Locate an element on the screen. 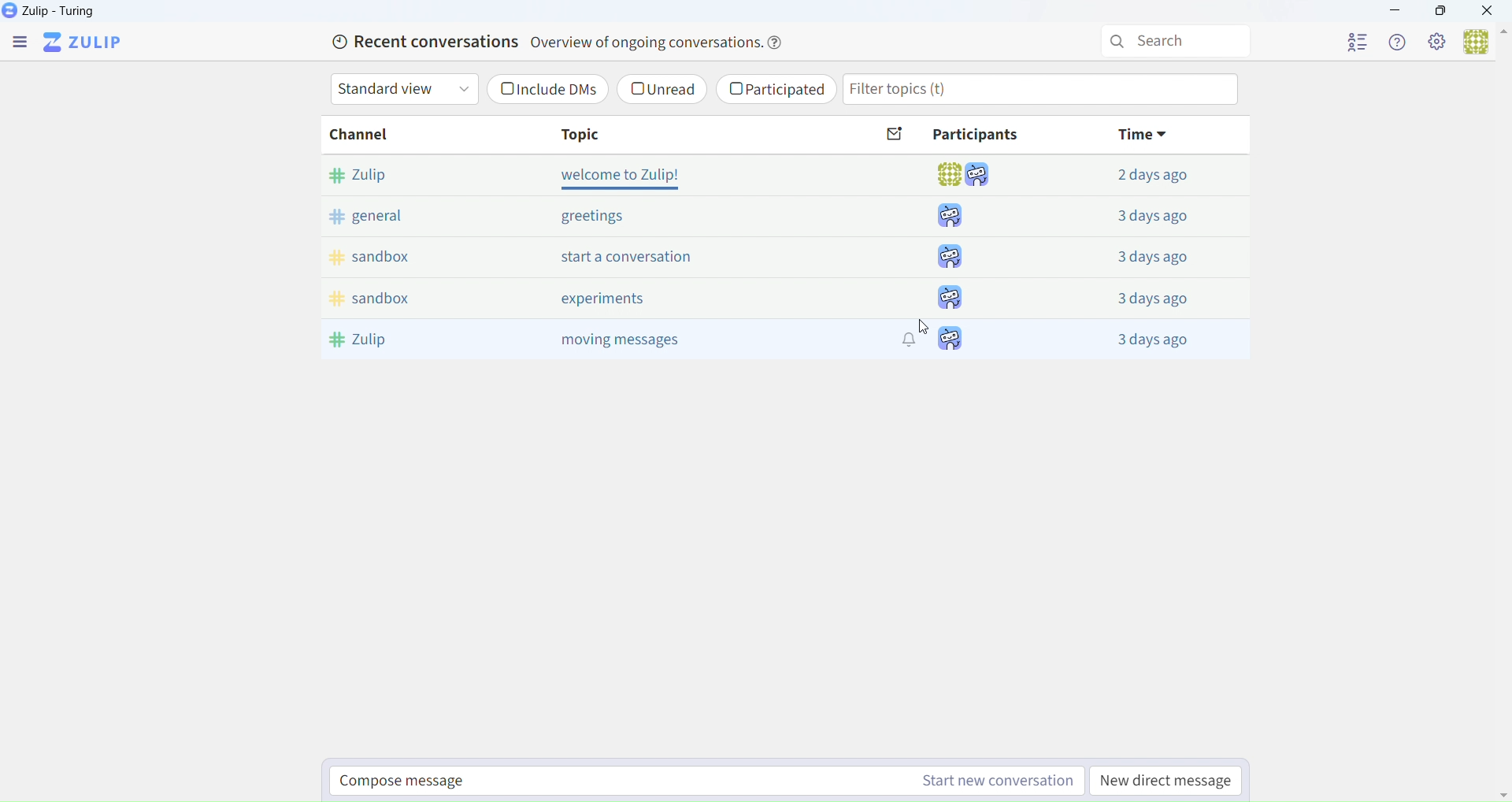 The height and width of the screenshot is (802, 1512). greetings is located at coordinates (598, 216).